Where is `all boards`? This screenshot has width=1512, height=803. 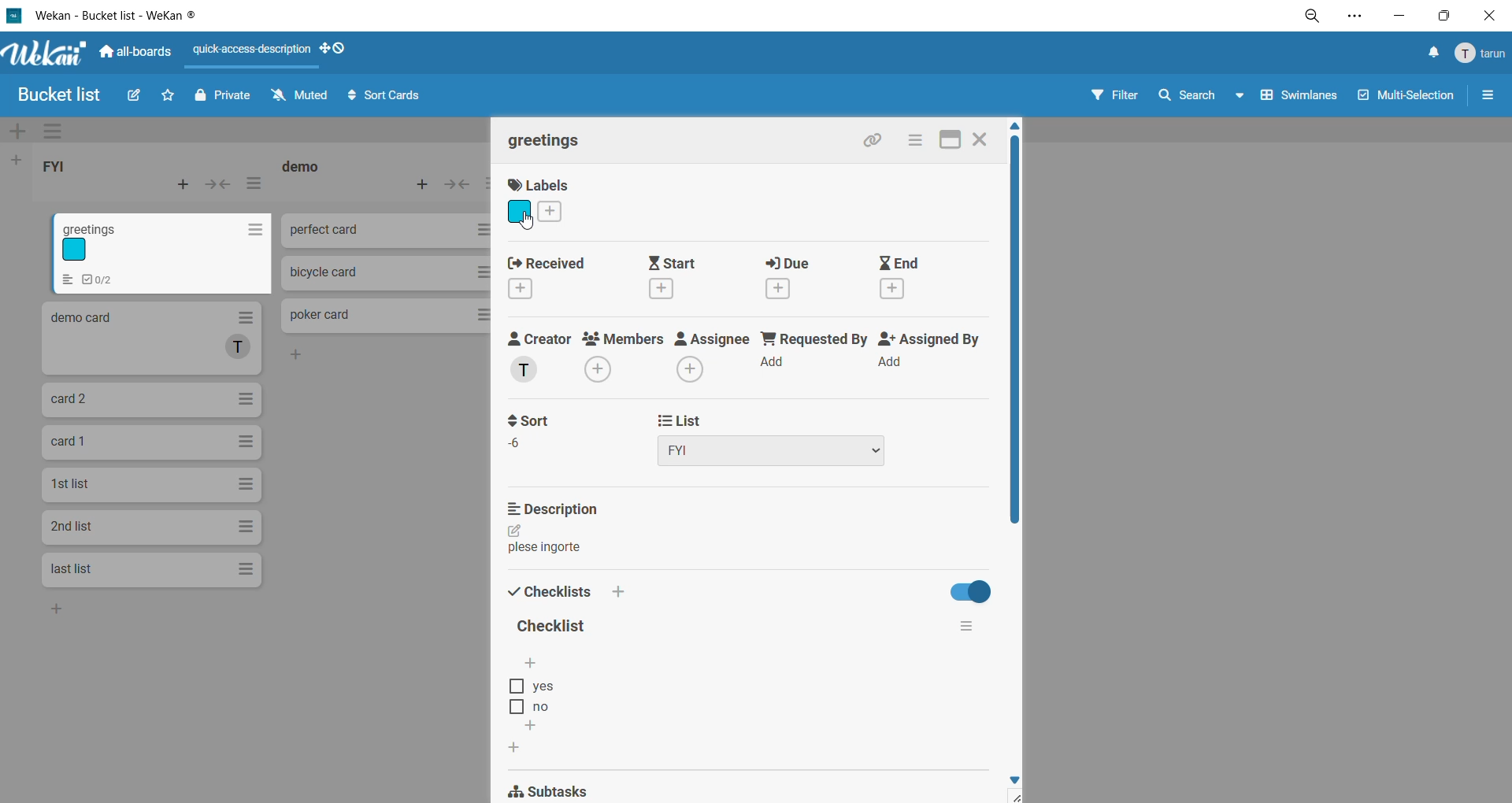 all boards is located at coordinates (135, 54).